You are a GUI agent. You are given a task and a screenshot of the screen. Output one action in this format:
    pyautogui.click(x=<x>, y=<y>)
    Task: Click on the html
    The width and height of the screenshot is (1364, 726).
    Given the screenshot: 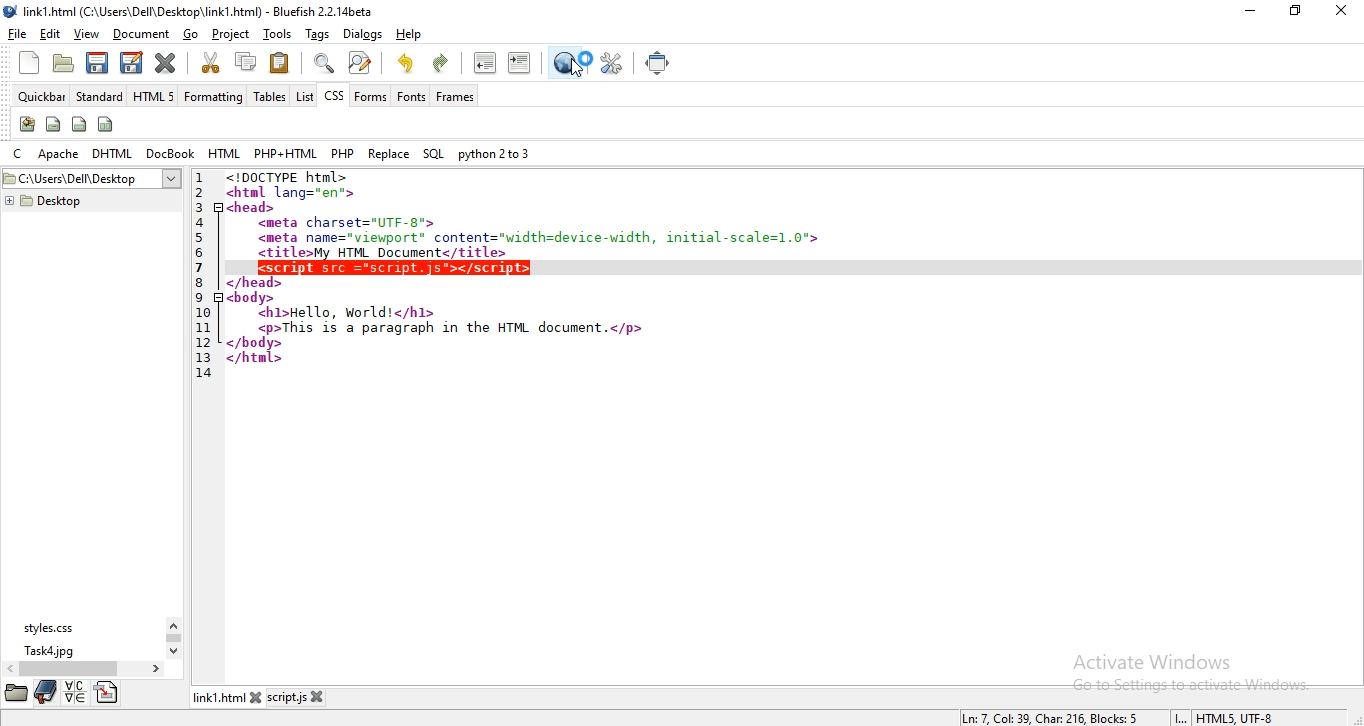 What is the action you would take?
    pyautogui.click(x=223, y=152)
    